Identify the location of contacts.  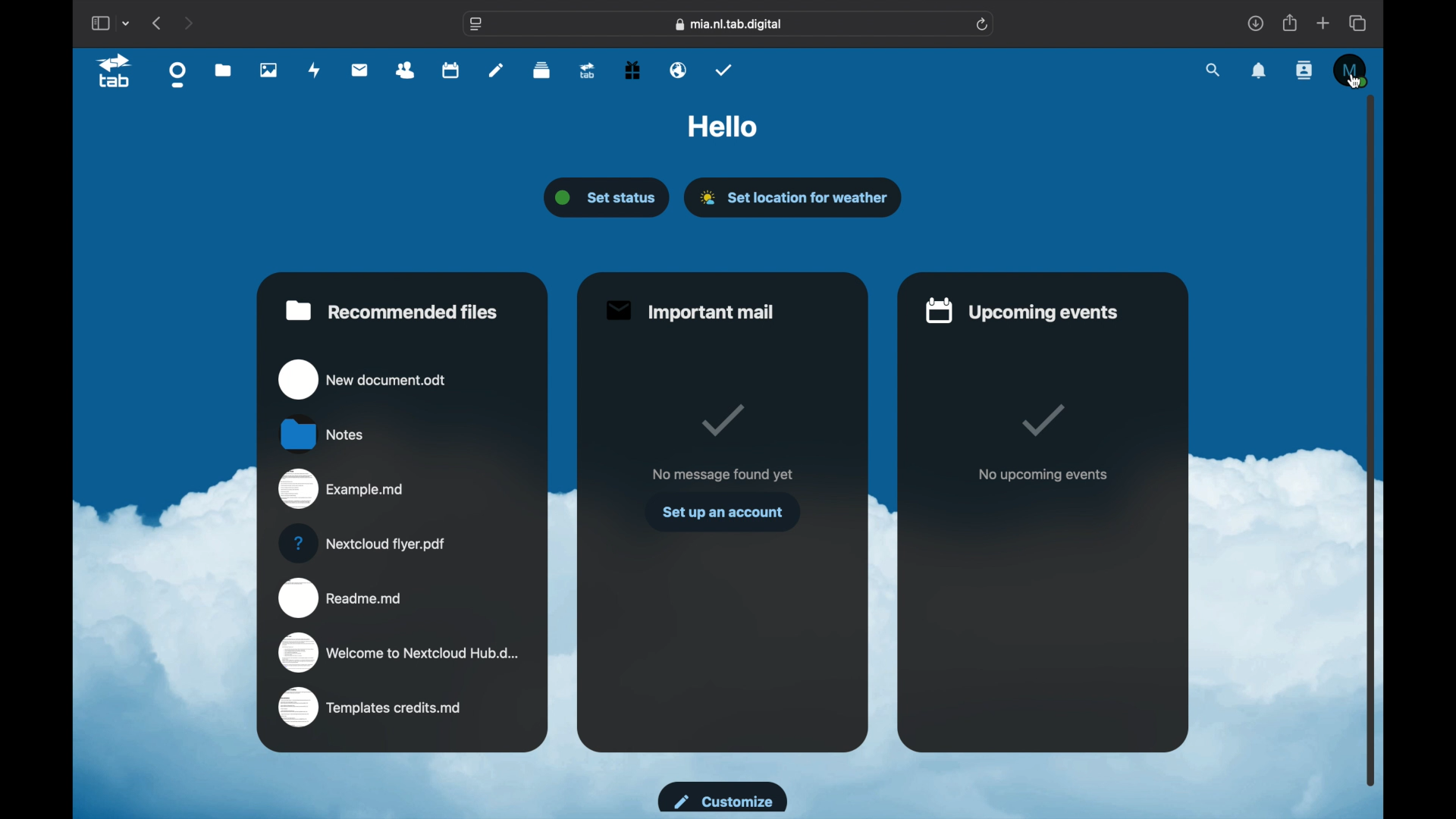
(406, 71).